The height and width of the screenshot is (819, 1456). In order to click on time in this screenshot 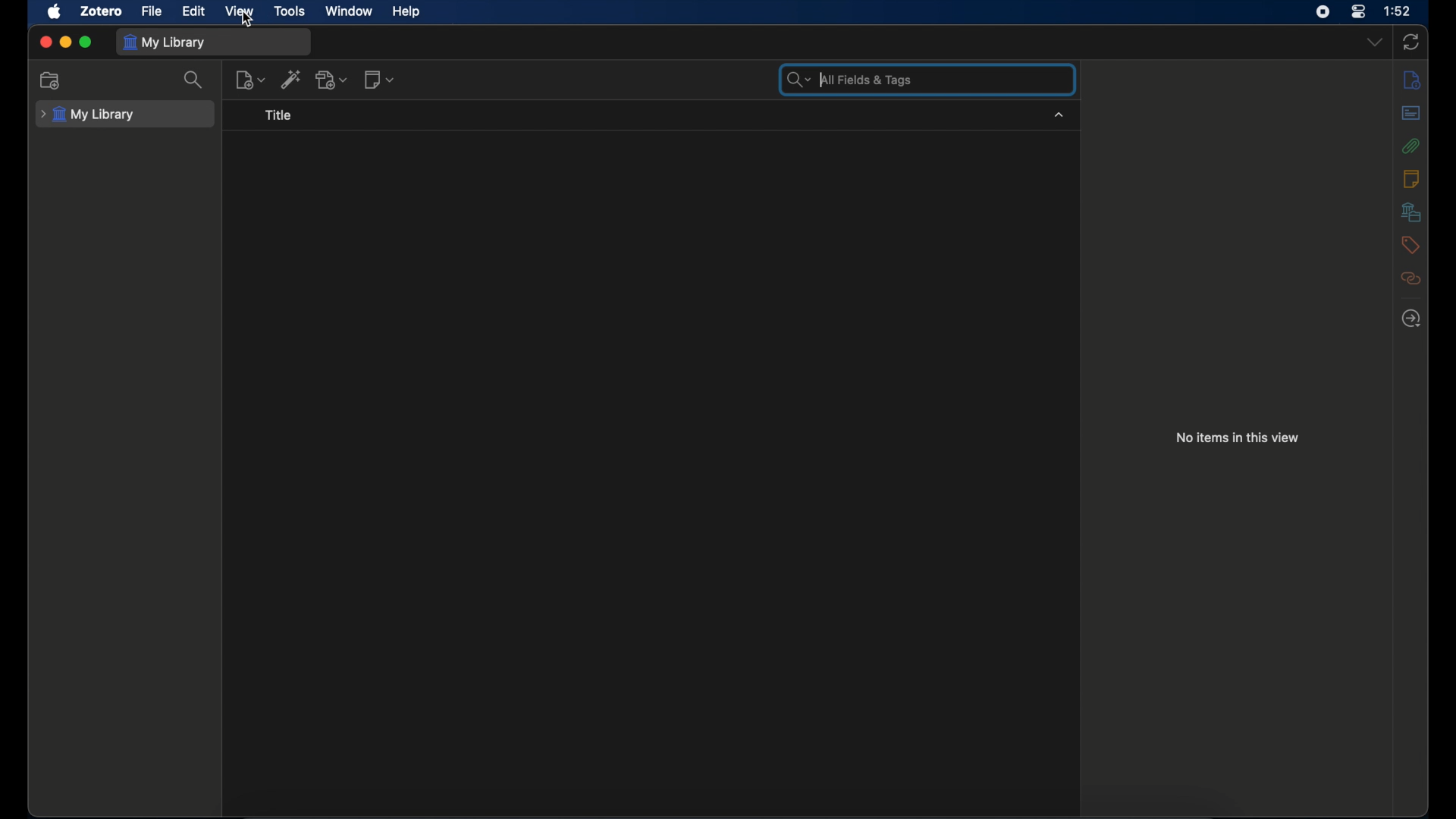, I will do `click(1398, 11)`.